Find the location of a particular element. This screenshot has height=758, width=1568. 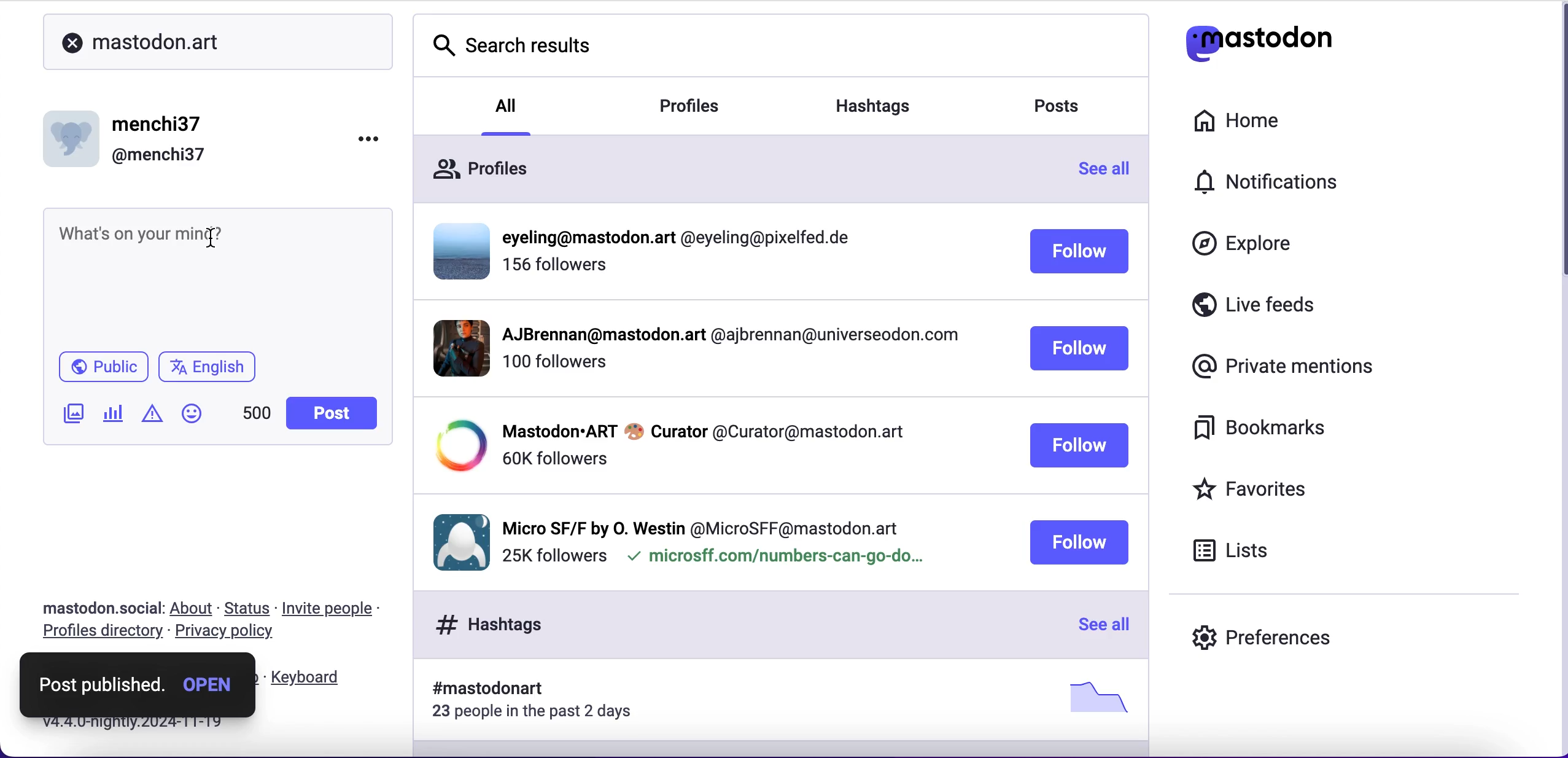

bookmarks is located at coordinates (1269, 432).